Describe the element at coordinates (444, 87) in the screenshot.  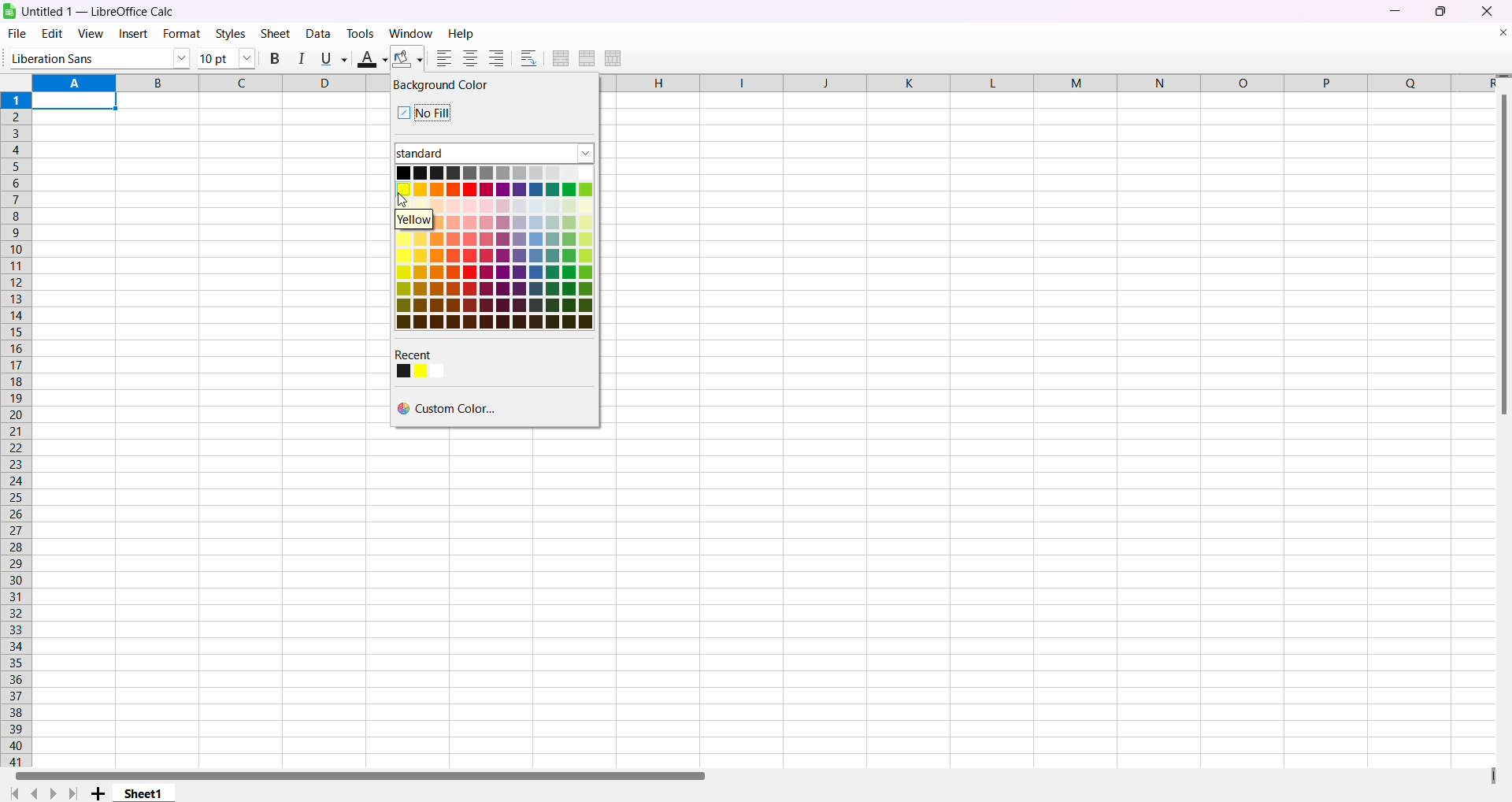
I see `background color` at that location.